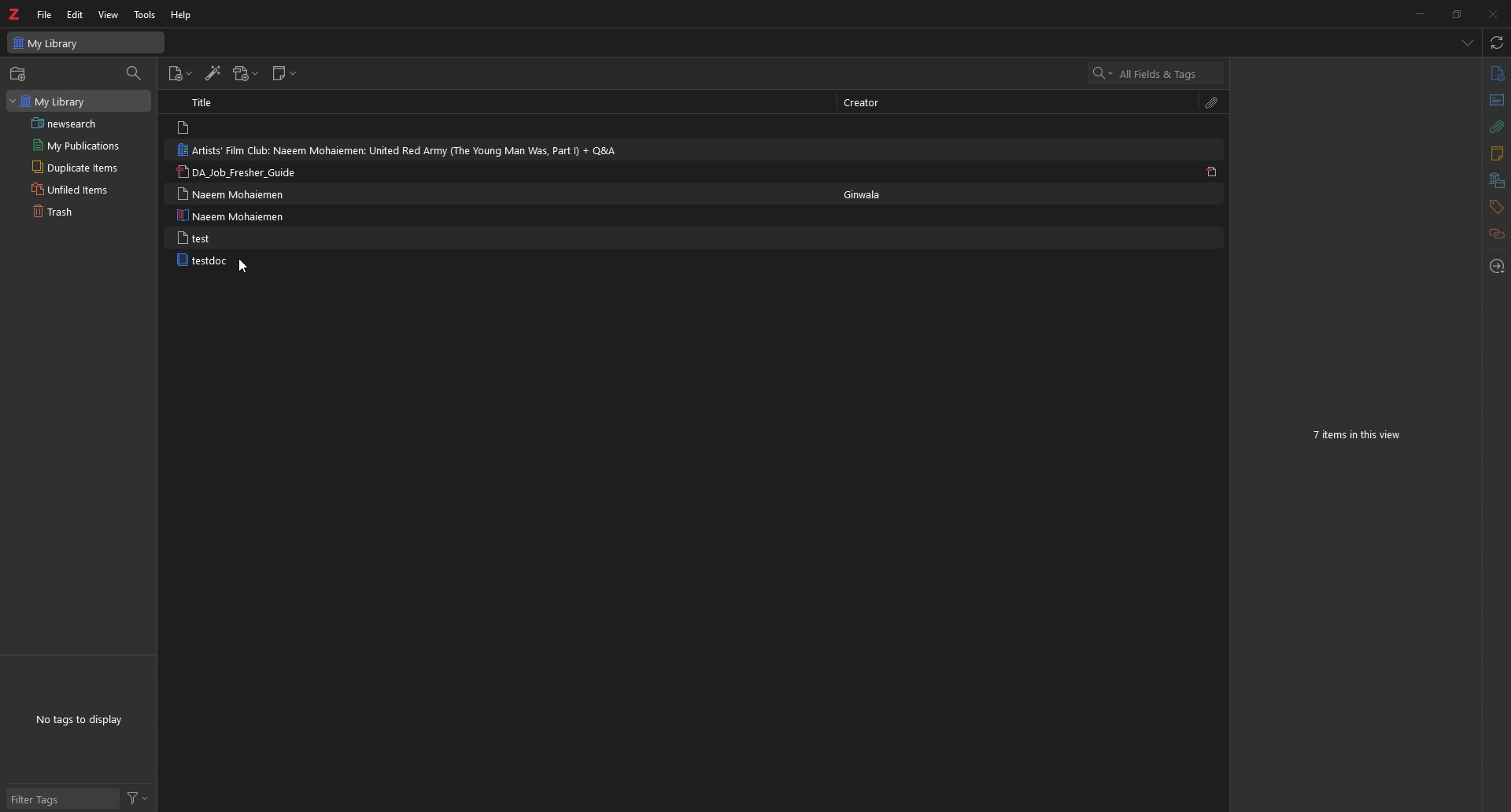 The width and height of the screenshot is (1511, 812). What do you see at coordinates (87, 43) in the screenshot?
I see `My Library` at bounding box center [87, 43].